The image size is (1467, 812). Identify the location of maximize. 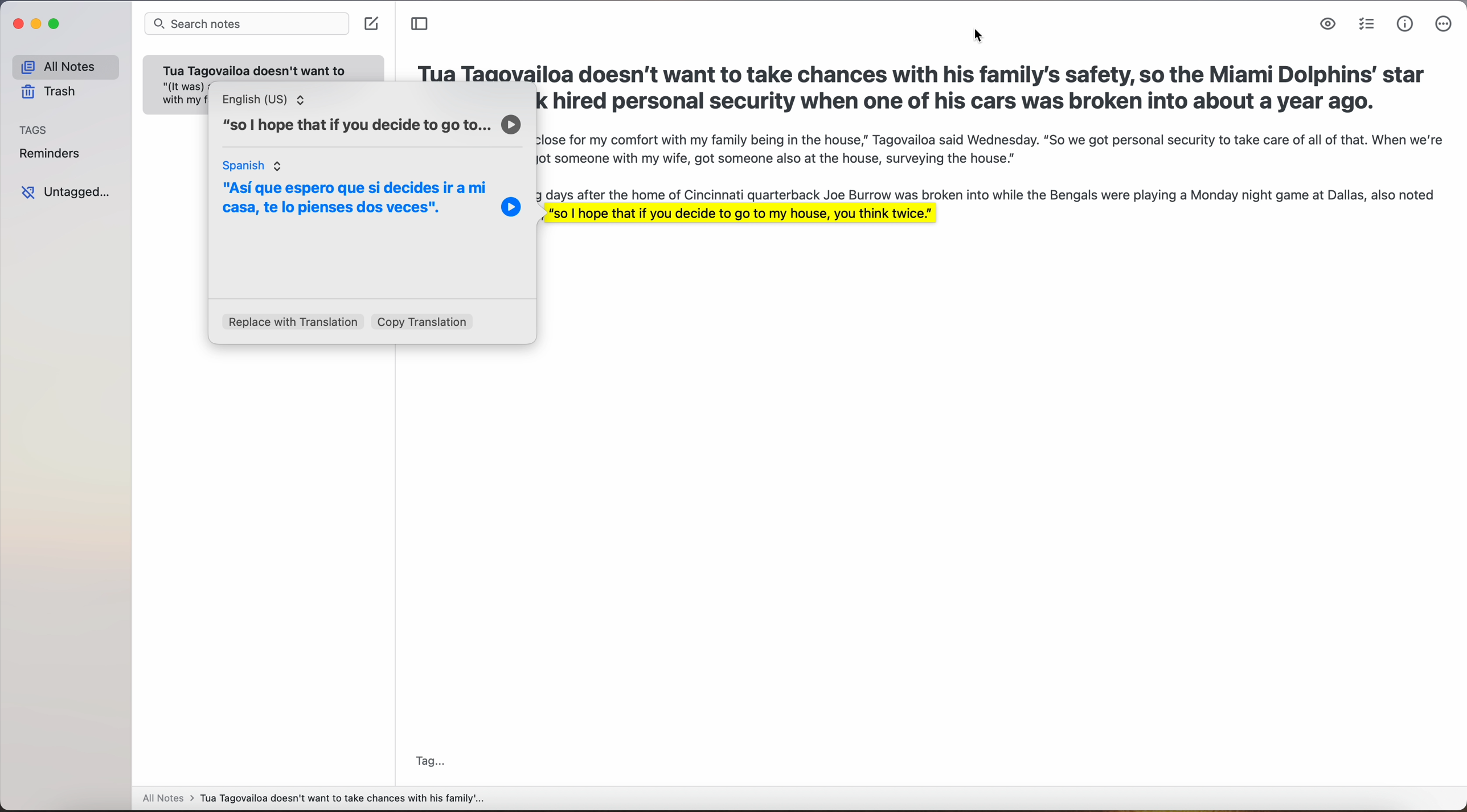
(56, 24).